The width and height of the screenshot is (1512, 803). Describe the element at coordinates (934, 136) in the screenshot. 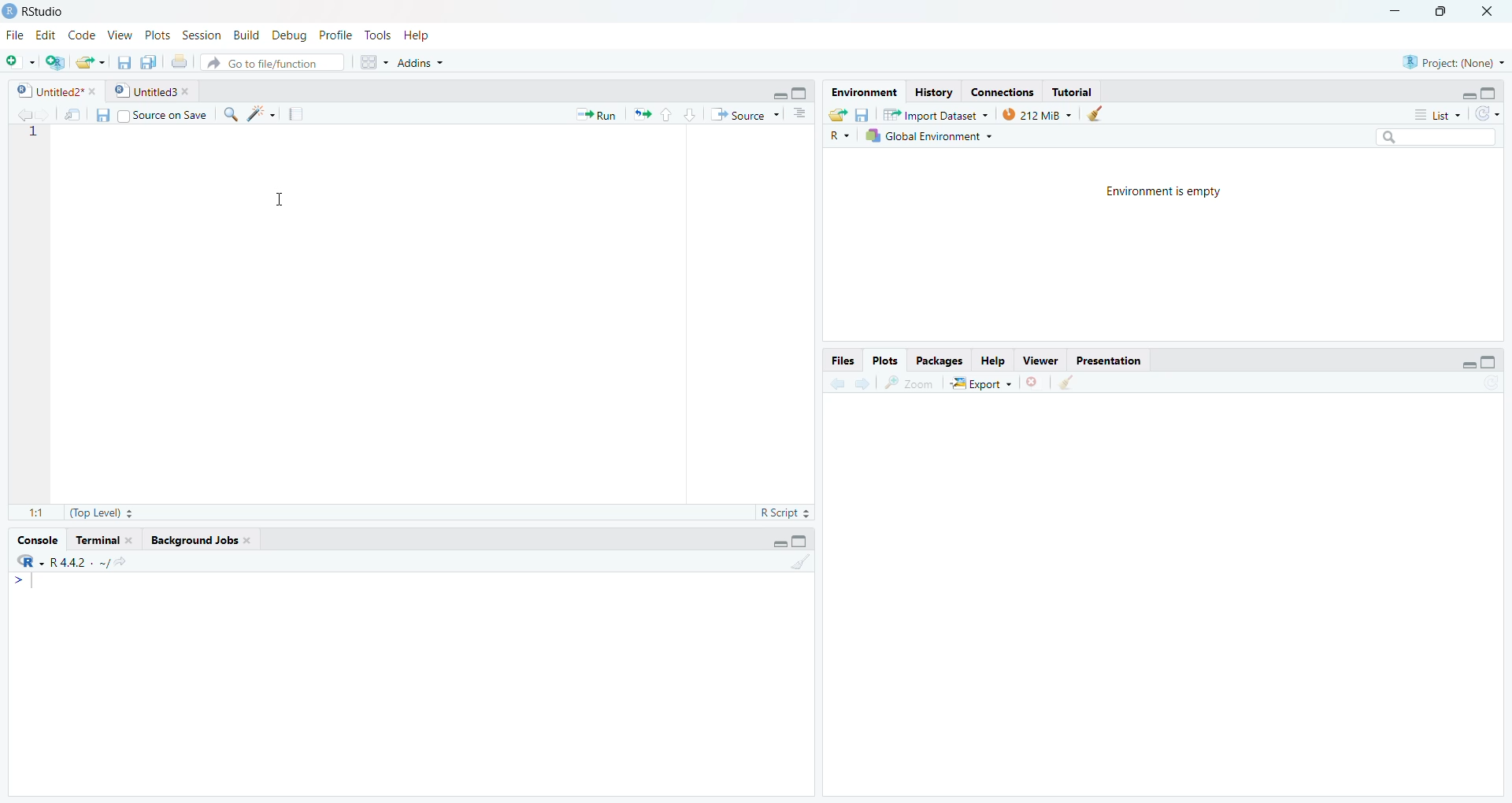

I see `global environment` at that location.